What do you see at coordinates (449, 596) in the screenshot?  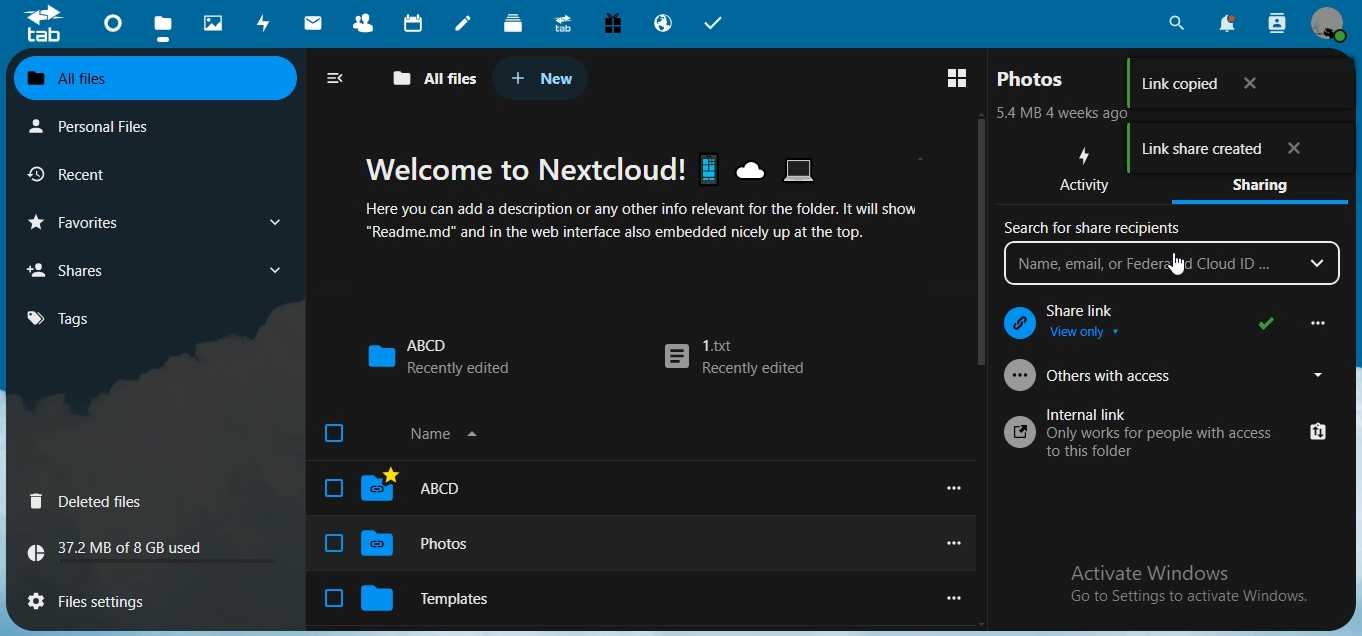 I see `Templates` at bounding box center [449, 596].